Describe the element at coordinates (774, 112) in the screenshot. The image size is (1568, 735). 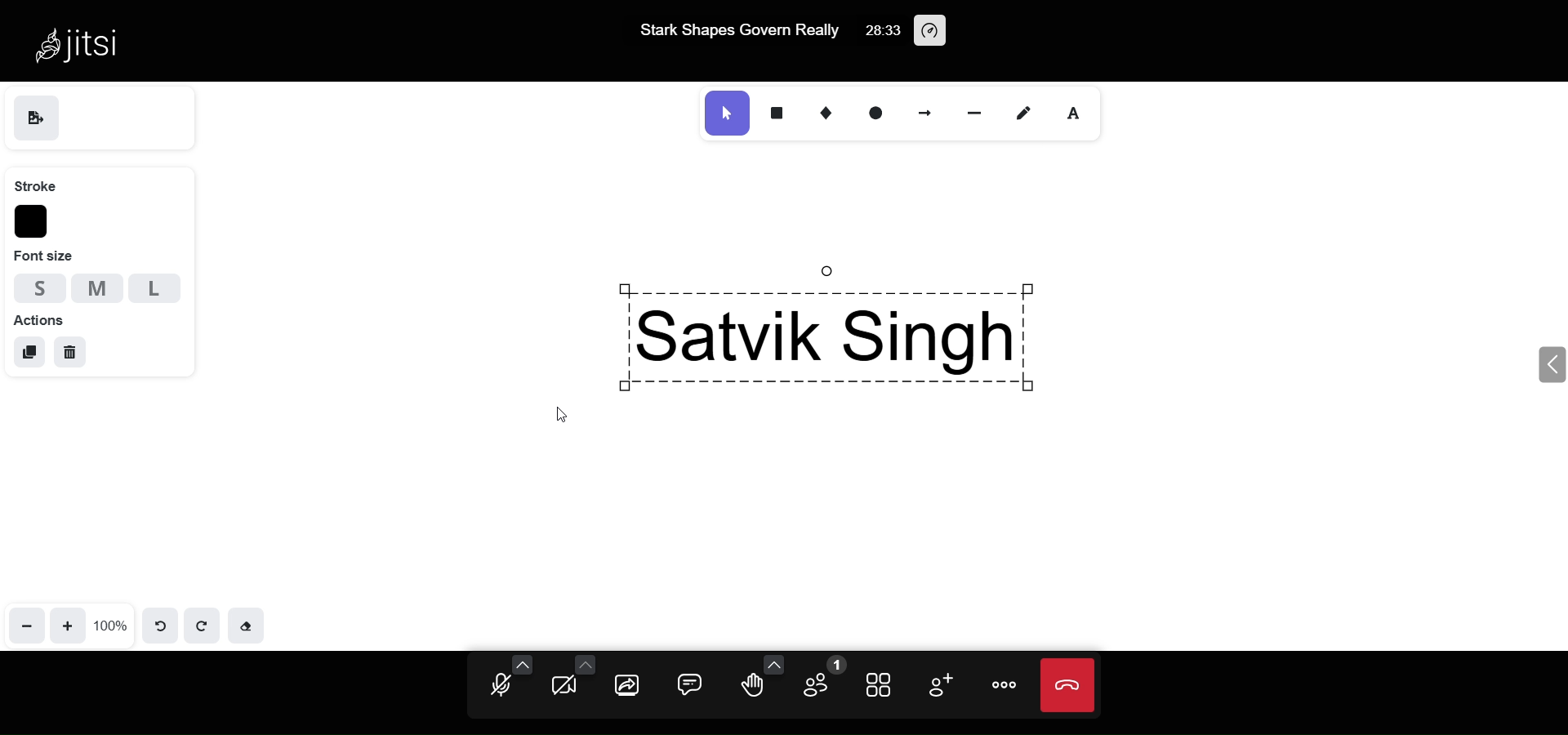
I see `rectangle` at that location.